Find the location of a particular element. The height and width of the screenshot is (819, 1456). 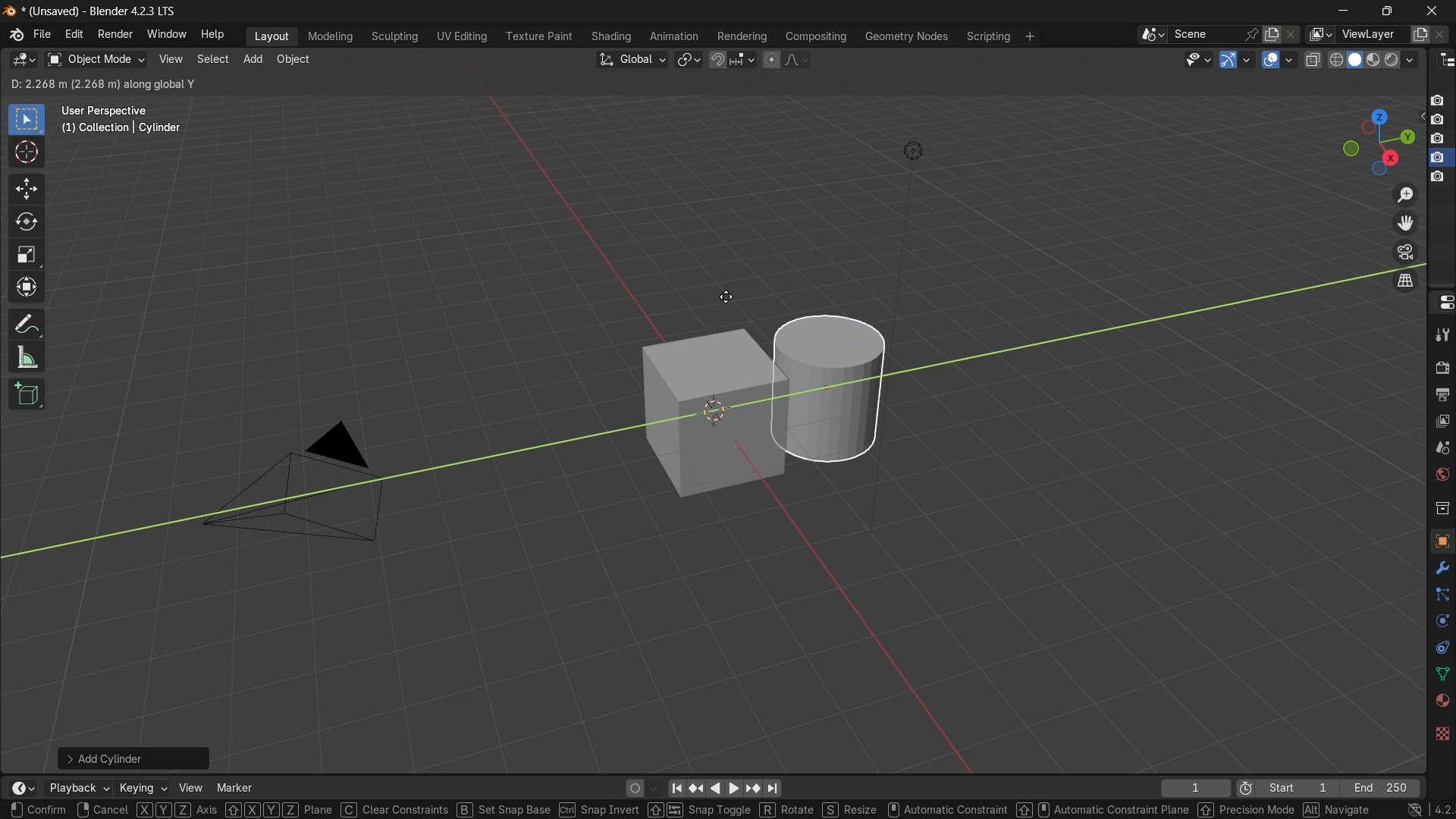

resize is located at coordinates (849, 808).